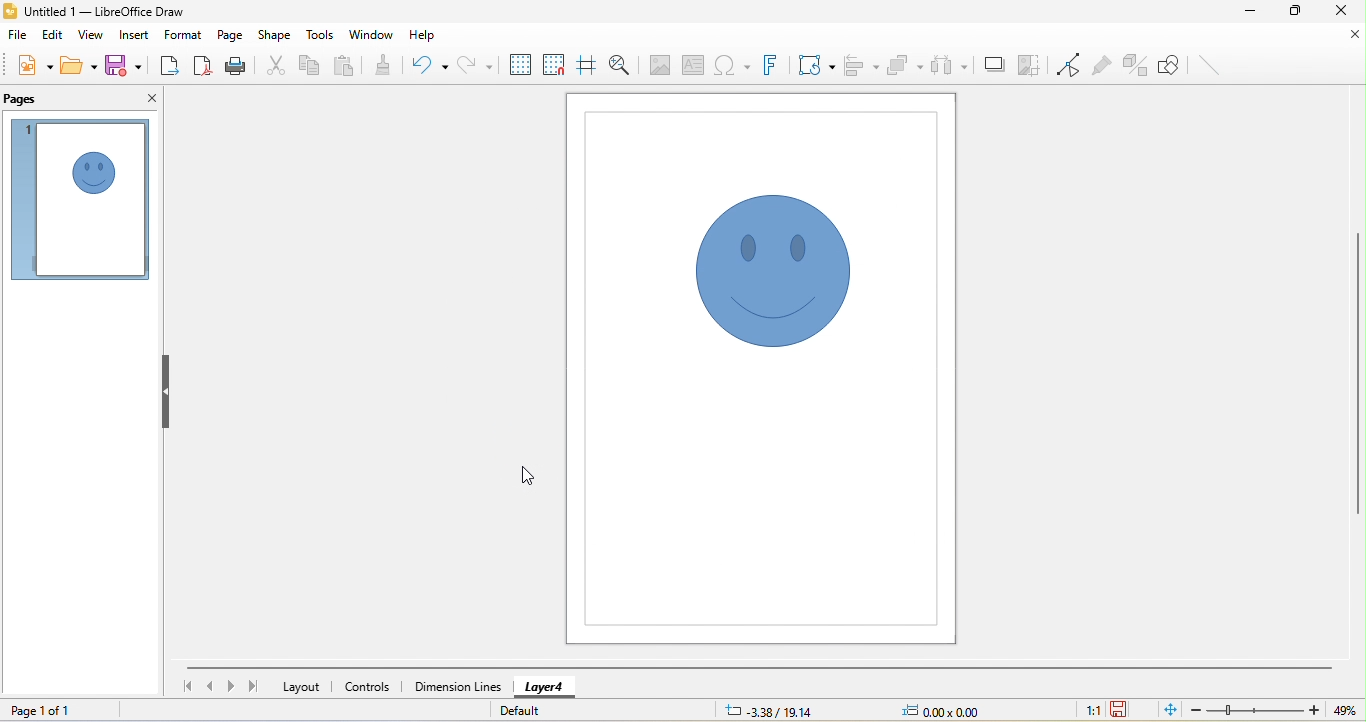 The image size is (1366, 722). What do you see at coordinates (1165, 710) in the screenshot?
I see `fit to the current window` at bounding box center [1165, 710].